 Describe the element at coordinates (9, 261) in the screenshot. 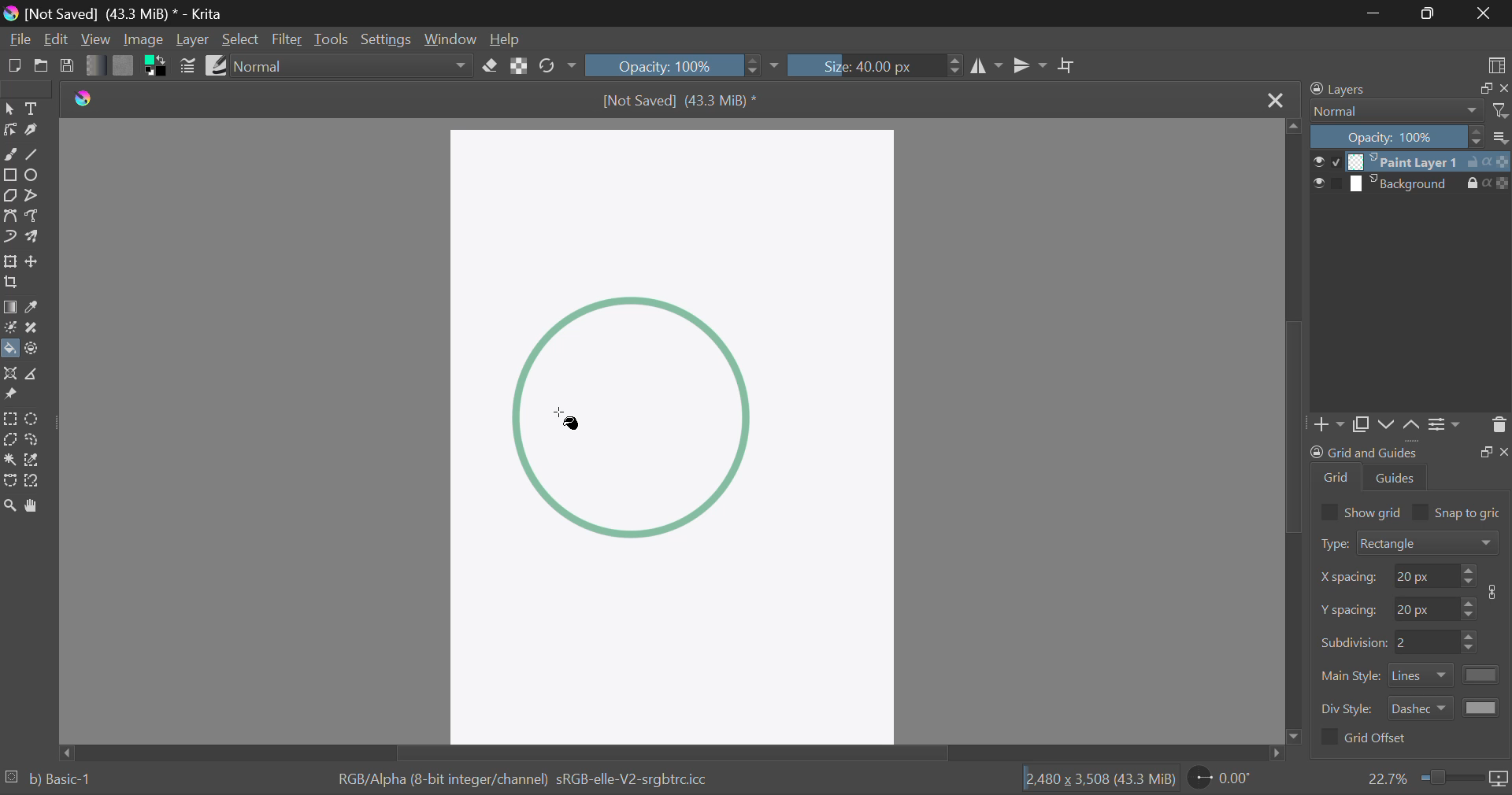

I see `Transform Layer` at that location.